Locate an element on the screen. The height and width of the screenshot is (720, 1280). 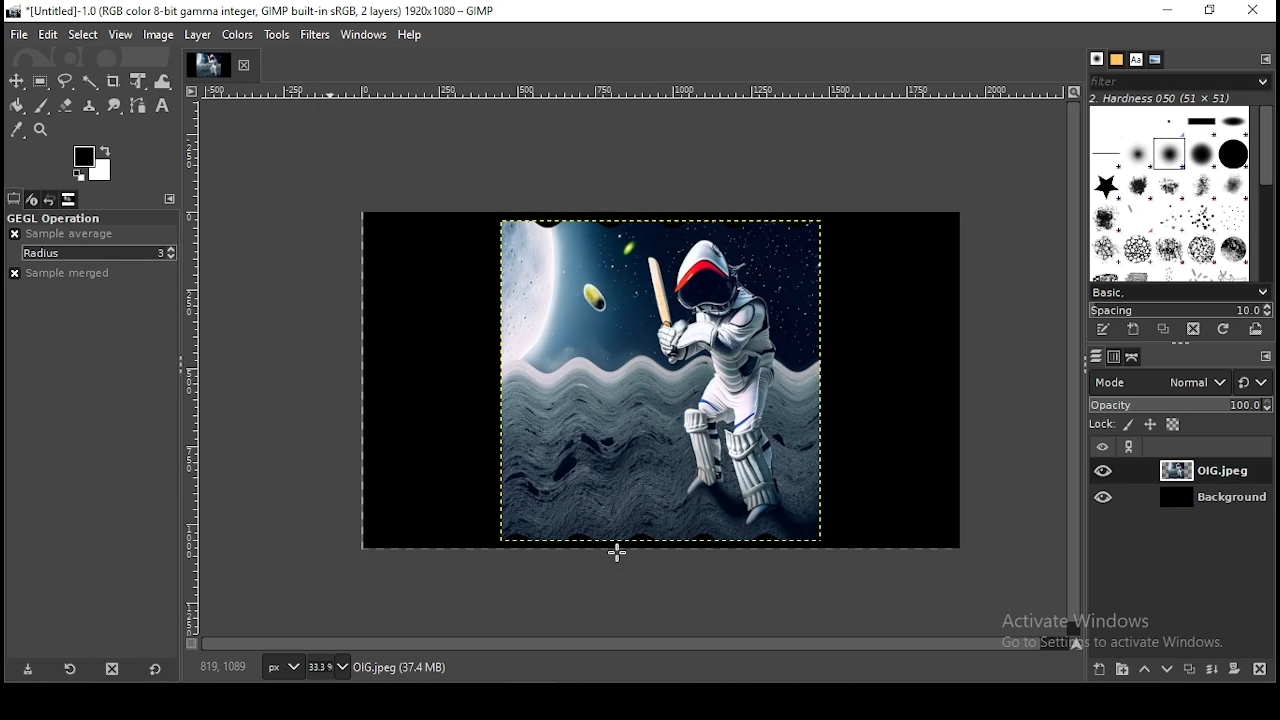
delete tool preset is located at coordinates (110, 672).